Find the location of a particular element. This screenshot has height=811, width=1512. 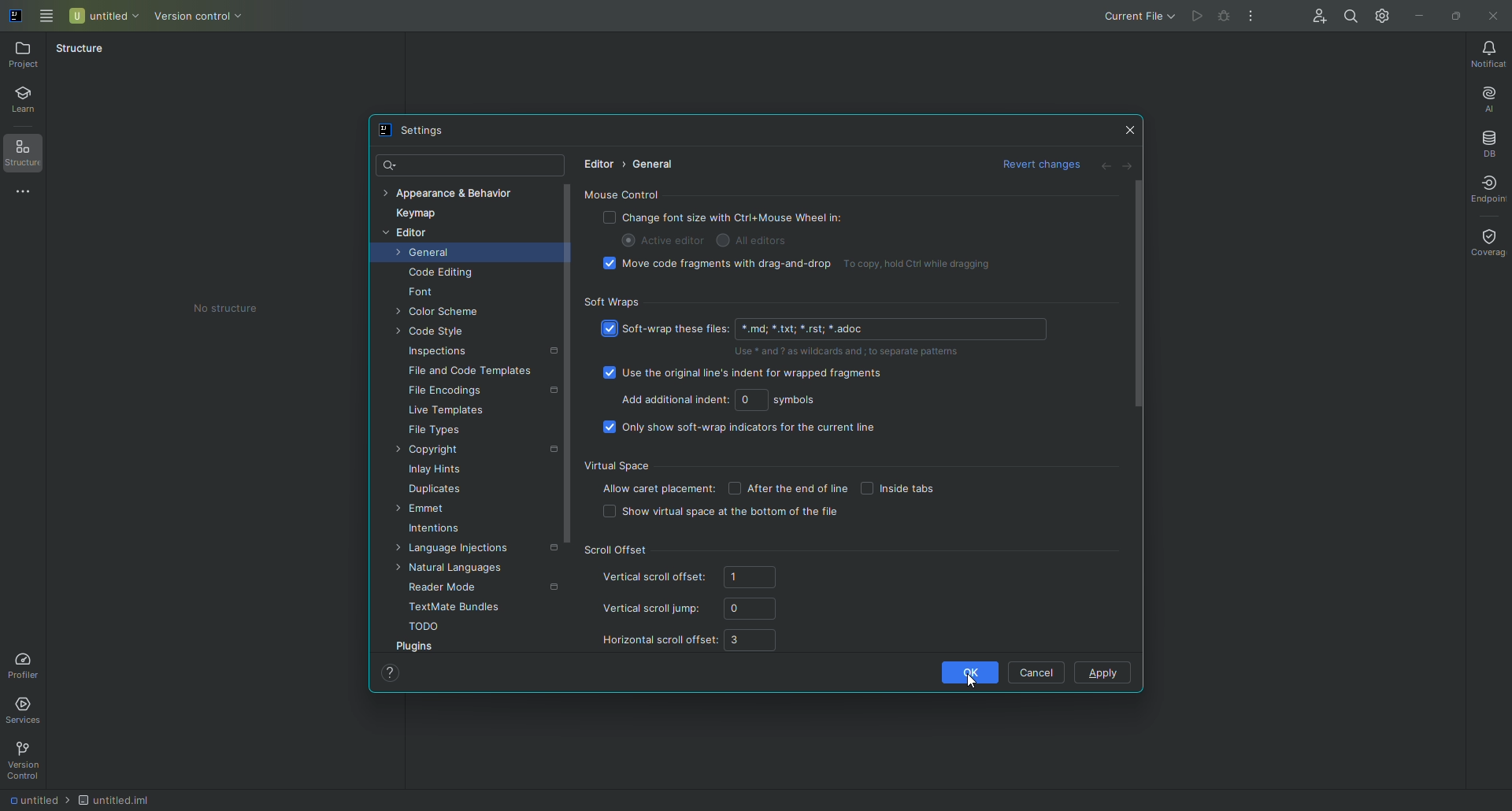

Search is located at coordinates (395, 166).